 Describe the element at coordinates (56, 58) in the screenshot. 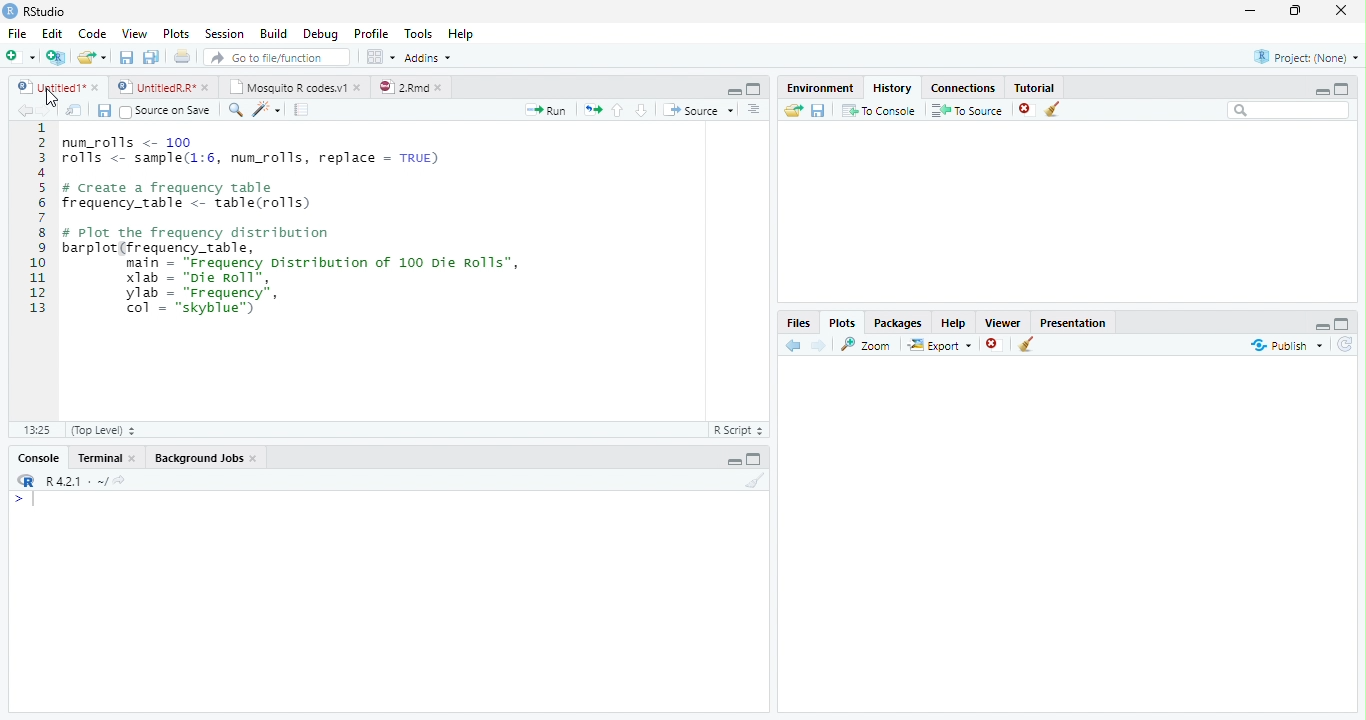

I see `Create Project` at that location.